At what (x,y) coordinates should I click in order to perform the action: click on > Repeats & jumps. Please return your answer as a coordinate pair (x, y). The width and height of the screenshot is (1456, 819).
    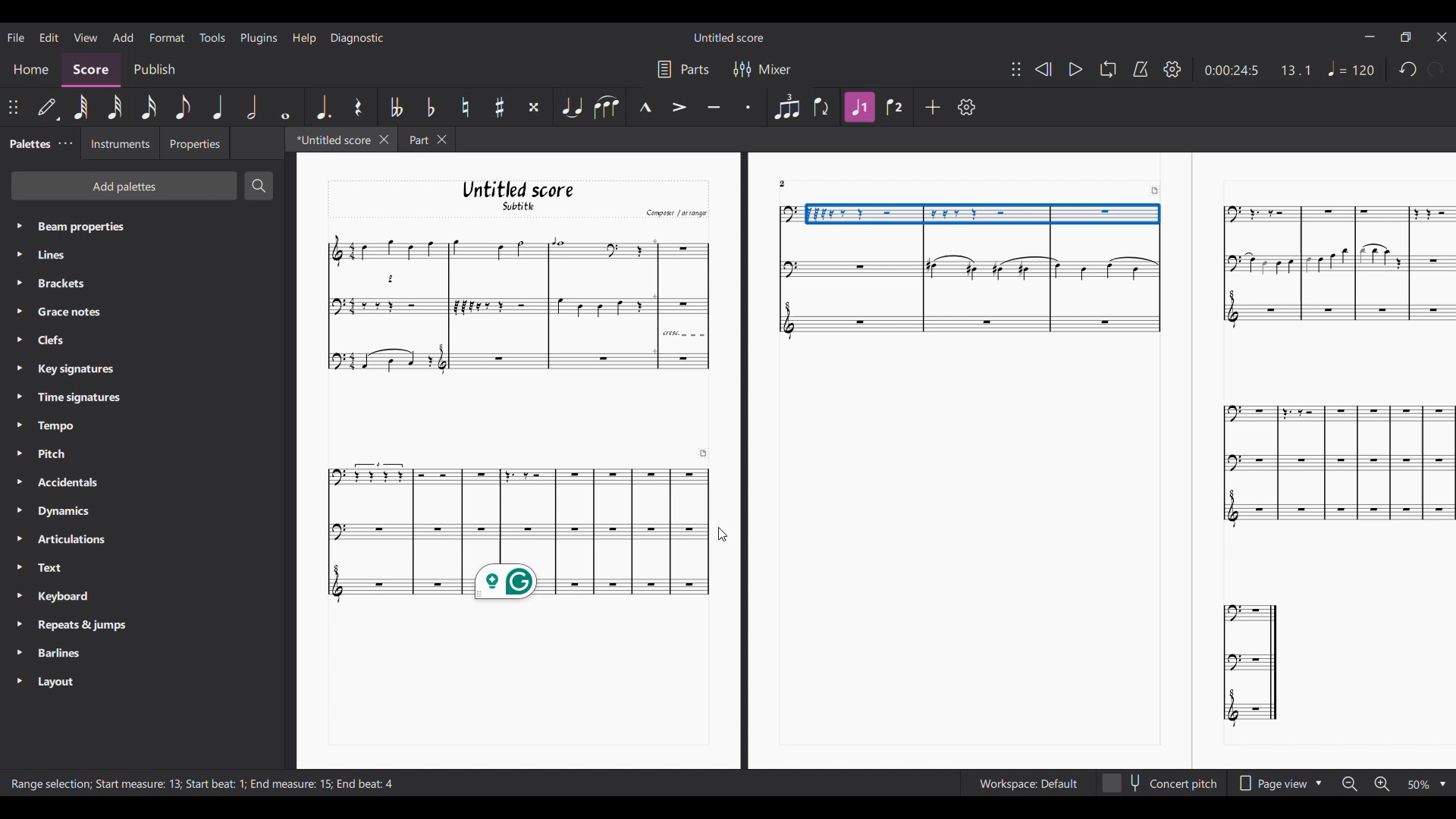
    Looking at the image, I should click on (74, 626).